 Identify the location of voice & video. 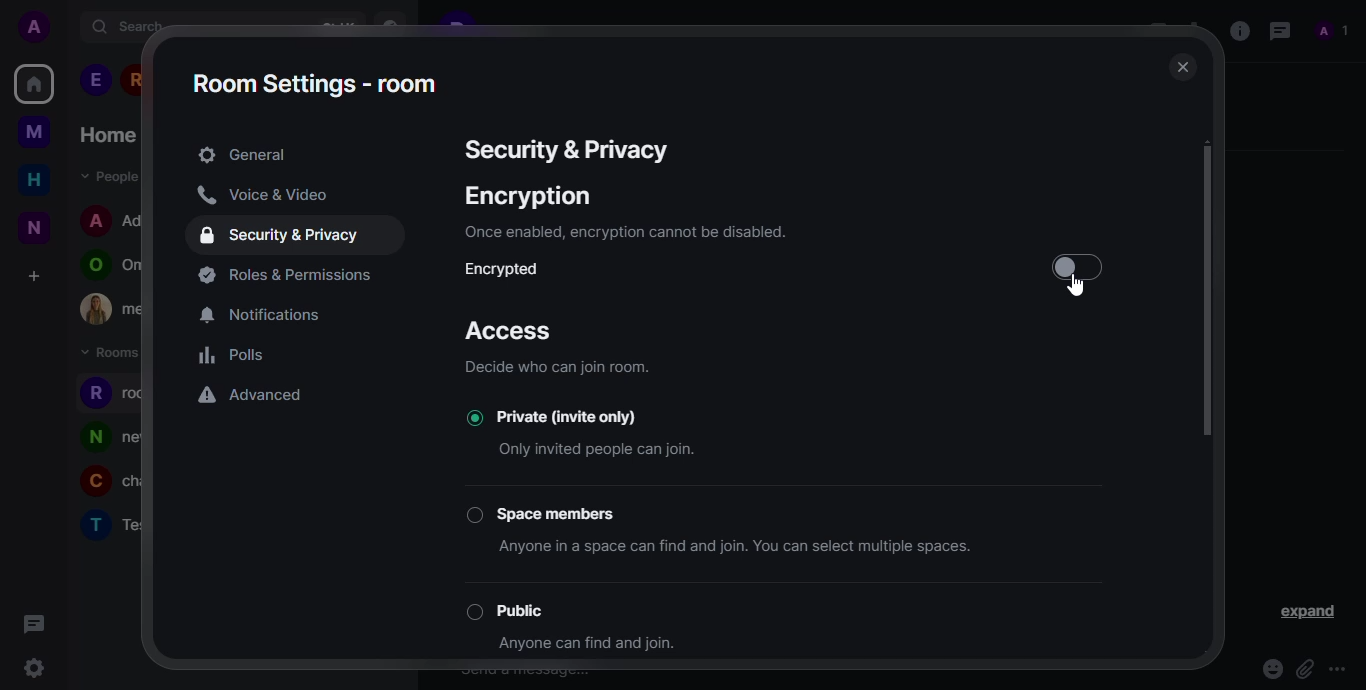
(268, 195).